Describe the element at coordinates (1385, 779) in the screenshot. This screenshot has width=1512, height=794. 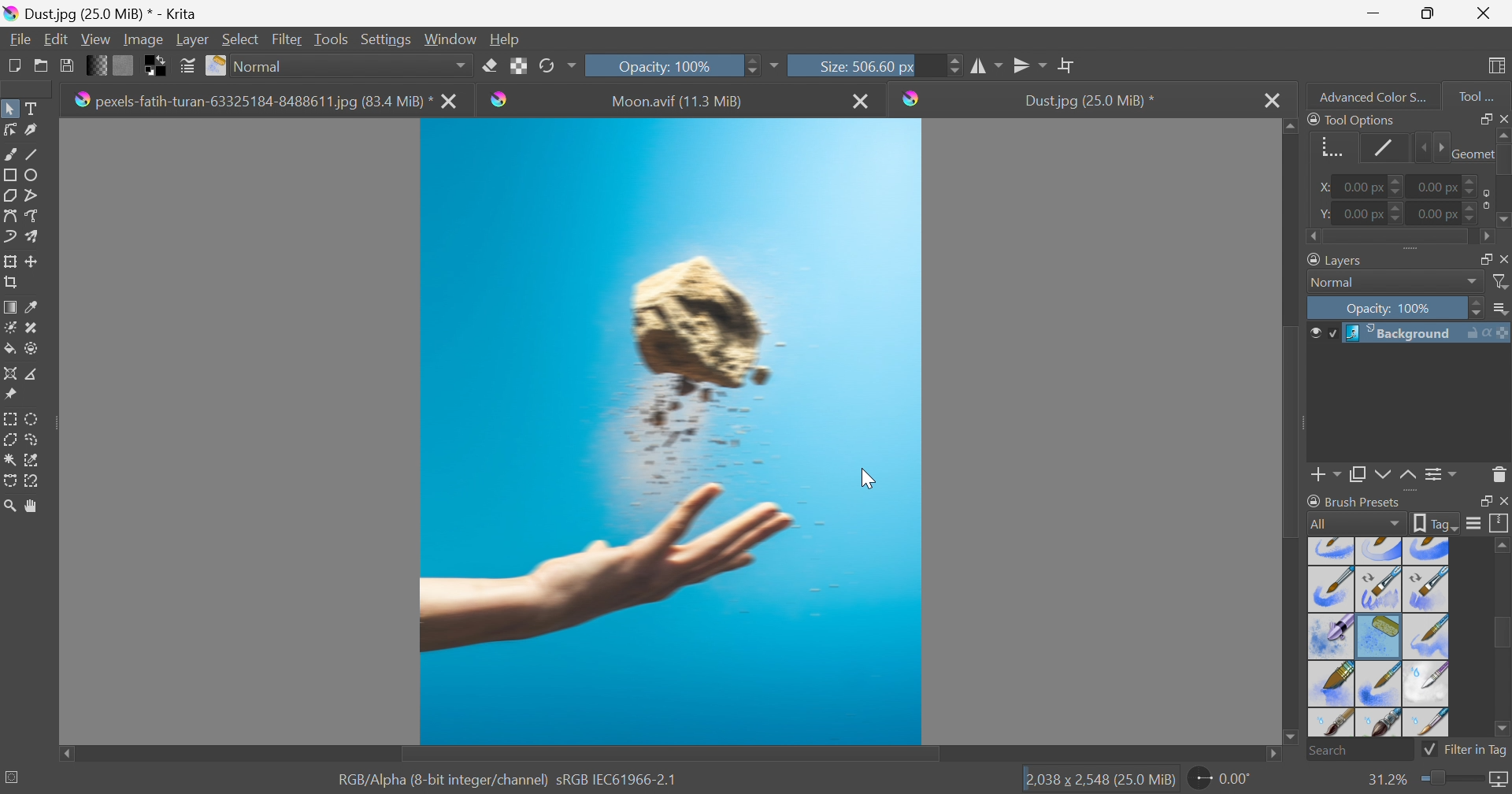
I see `31.2%` at that location.